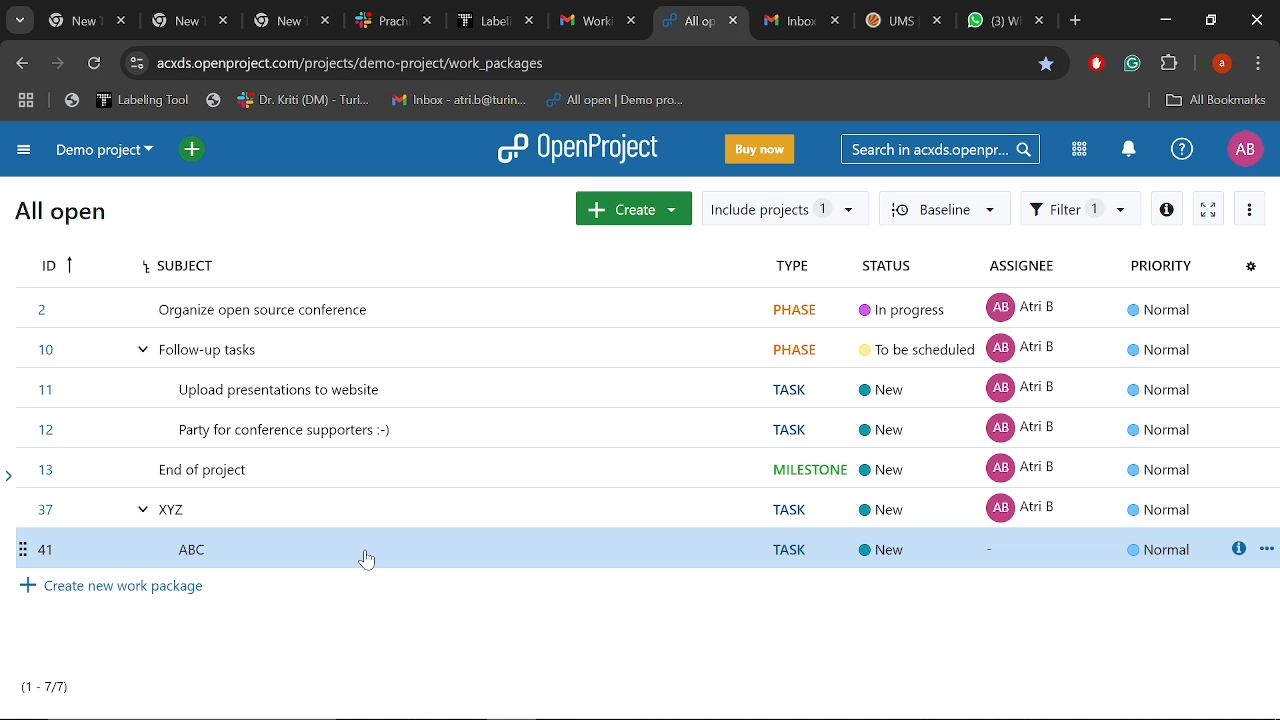 This screenshot has height=720, width=1280. Describe the element at coordinates (940, 149) in the screenshot. I see `Search in acxds.openproject` at that location.